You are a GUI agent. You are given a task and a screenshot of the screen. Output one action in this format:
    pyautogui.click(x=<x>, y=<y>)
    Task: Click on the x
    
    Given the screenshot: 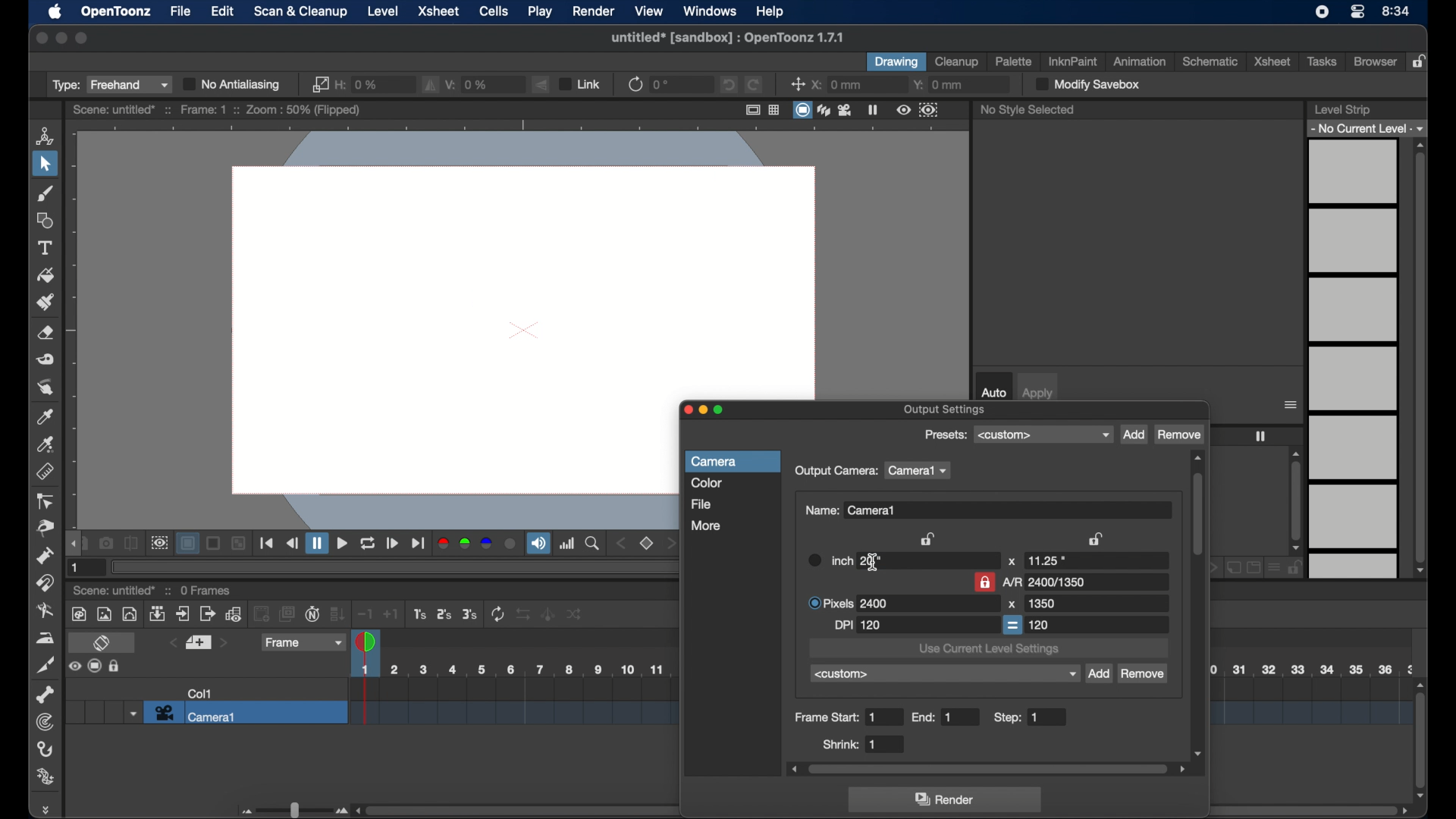 What is the action you would take?
    pyautogui.click(x=1012, y=562)
    